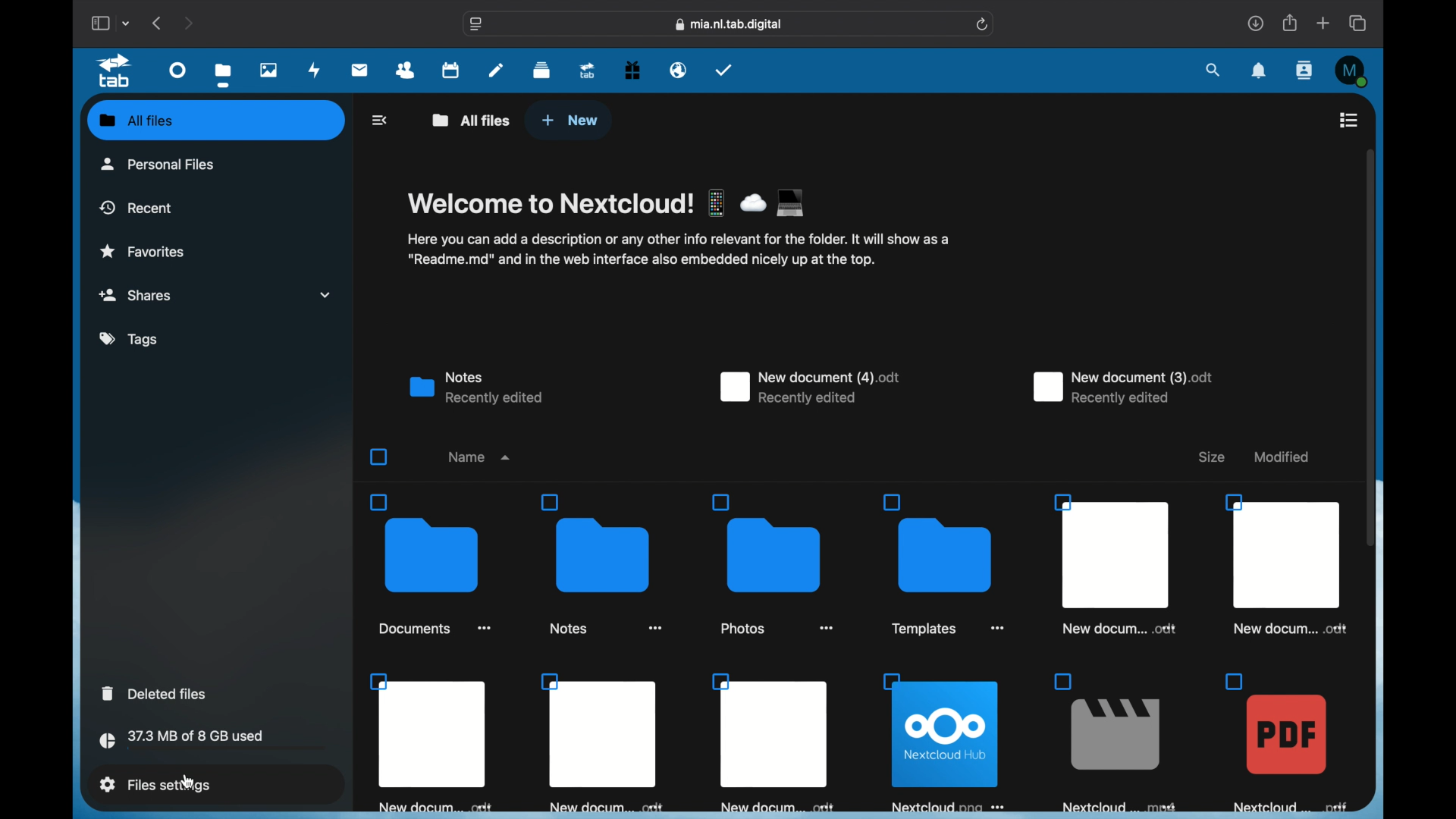  Describe the element at coordinates (472, 120) in the screenshot. I see `all files` at that location.